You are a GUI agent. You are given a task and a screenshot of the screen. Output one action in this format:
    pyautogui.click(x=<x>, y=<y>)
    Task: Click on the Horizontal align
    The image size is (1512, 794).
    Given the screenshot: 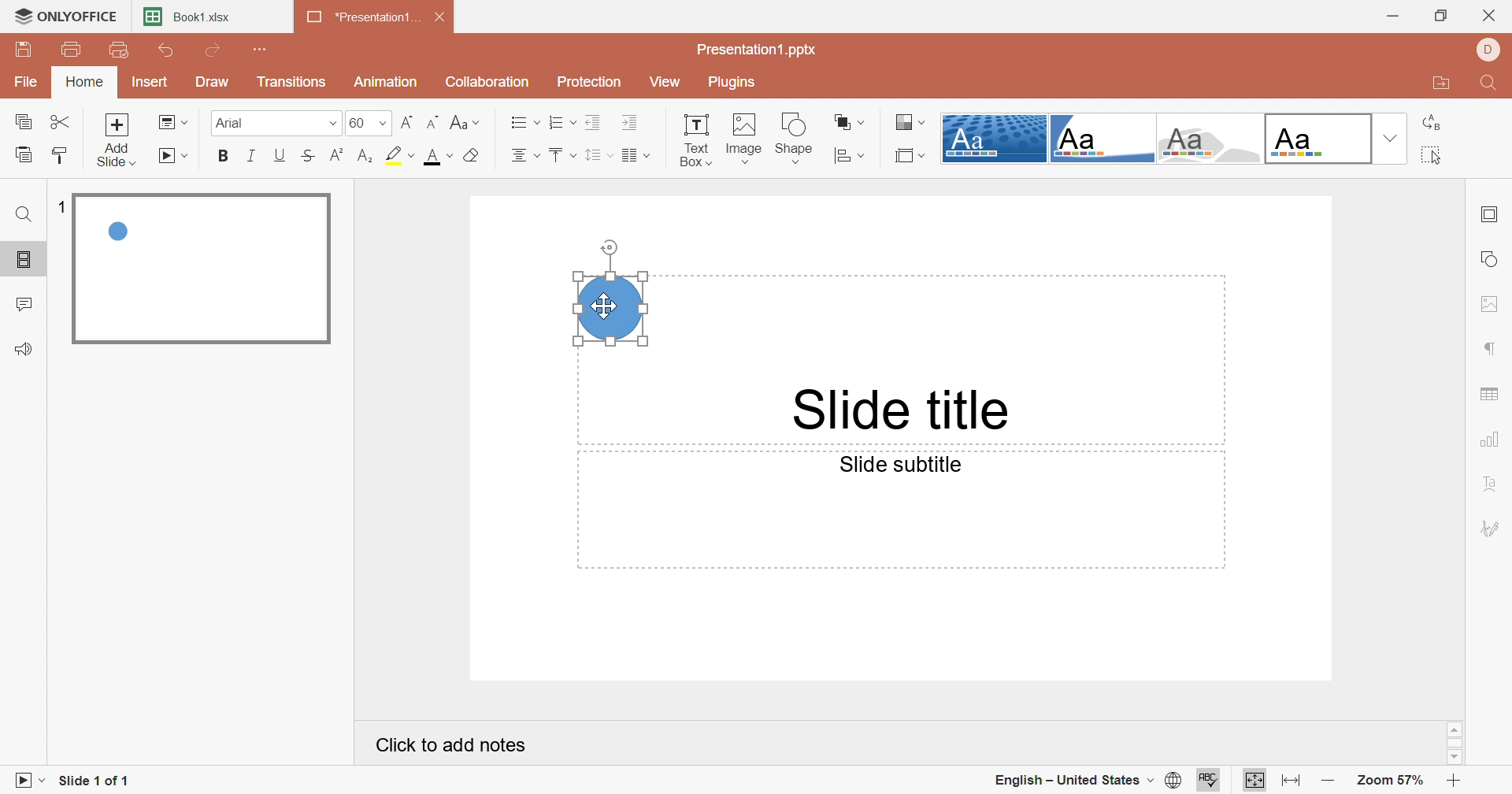 What is the action you would take?
    pyautogui.click(x=525, y=155)
    